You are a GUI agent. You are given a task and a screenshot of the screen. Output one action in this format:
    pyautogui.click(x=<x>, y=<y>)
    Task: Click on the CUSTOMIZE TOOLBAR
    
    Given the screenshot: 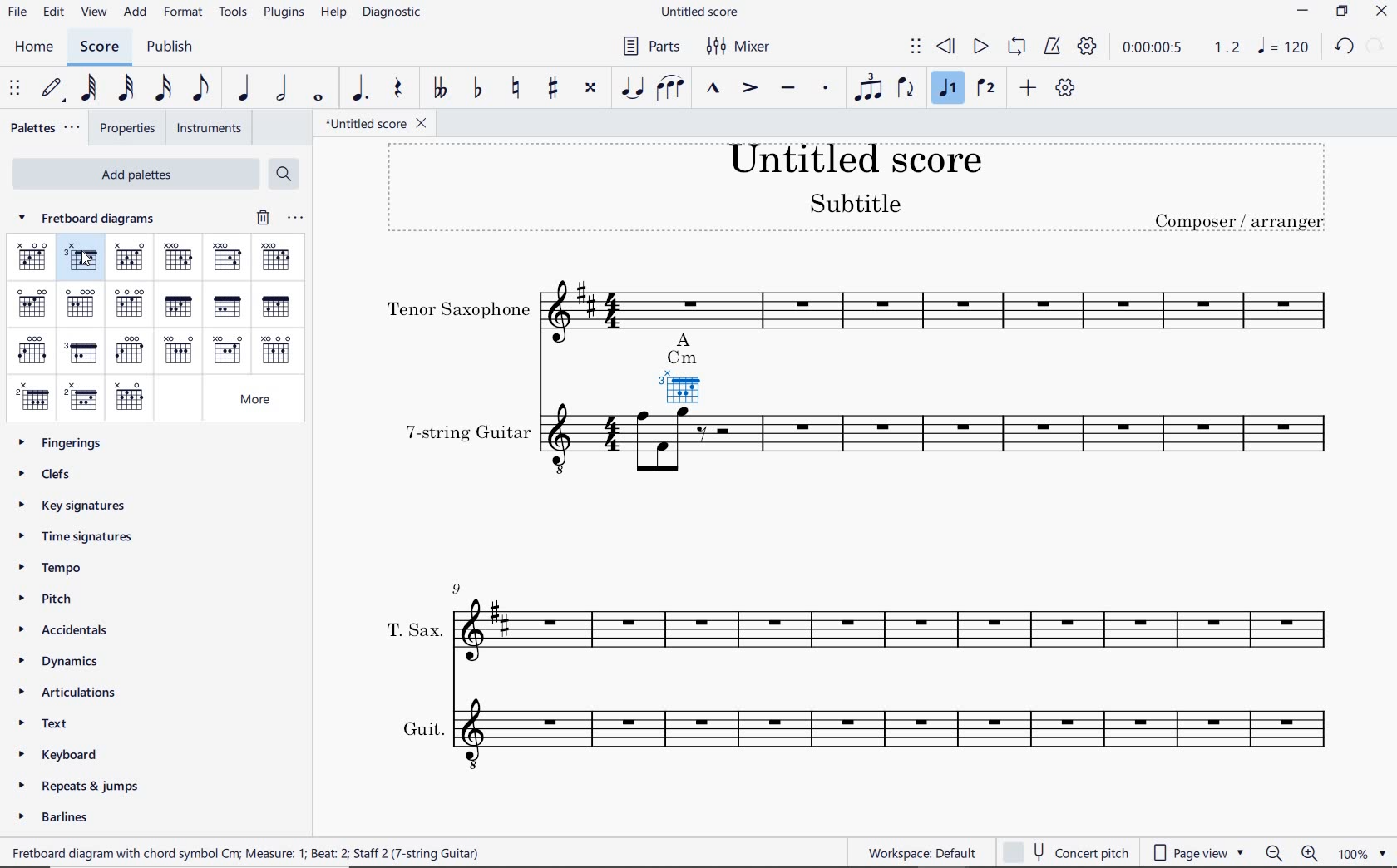 What is the action you would take?
    pyautogui.click(x=1063, y=89)
    